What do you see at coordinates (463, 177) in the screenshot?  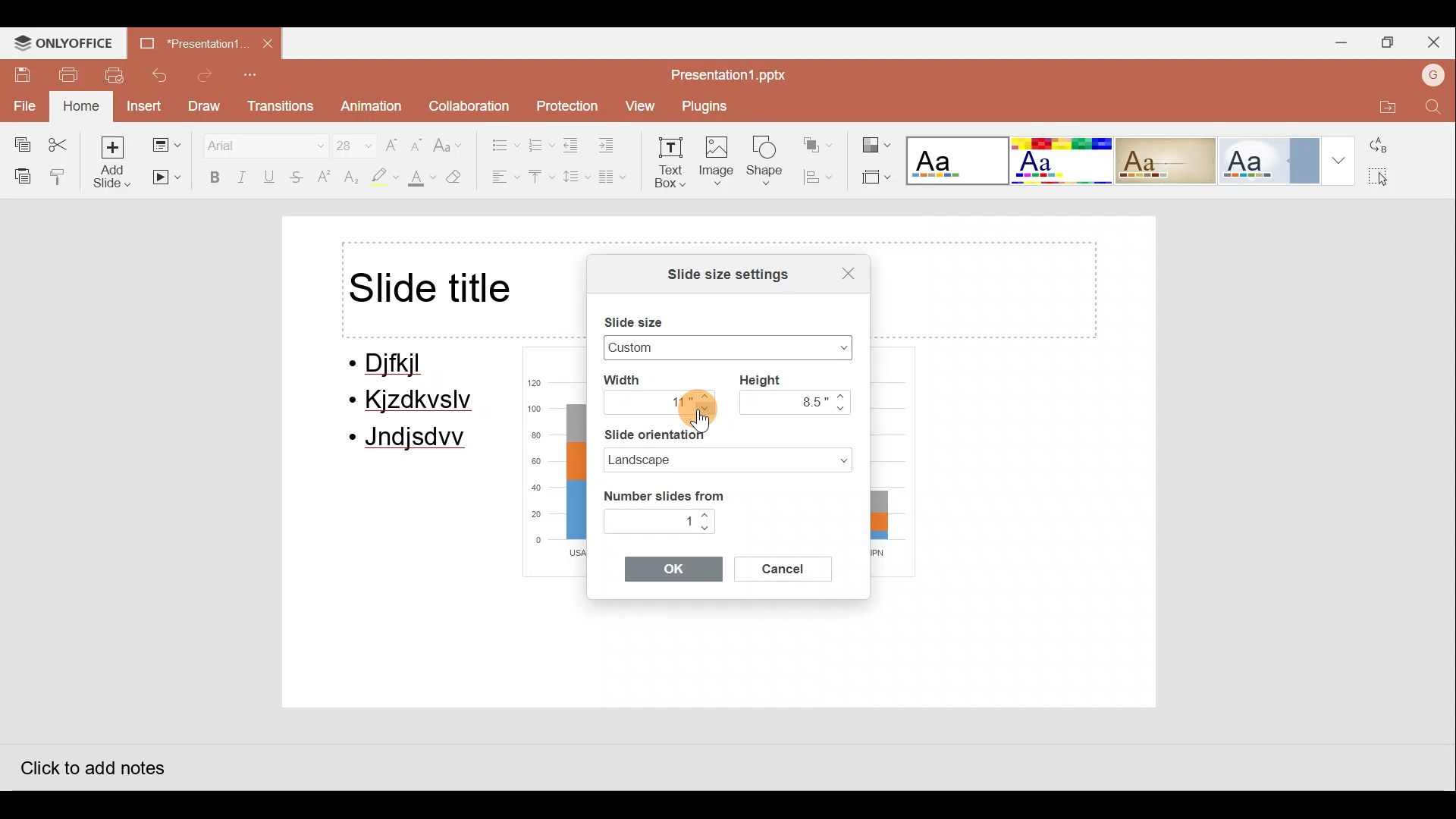 I see `Clear style` at bounding box center [463, 177].